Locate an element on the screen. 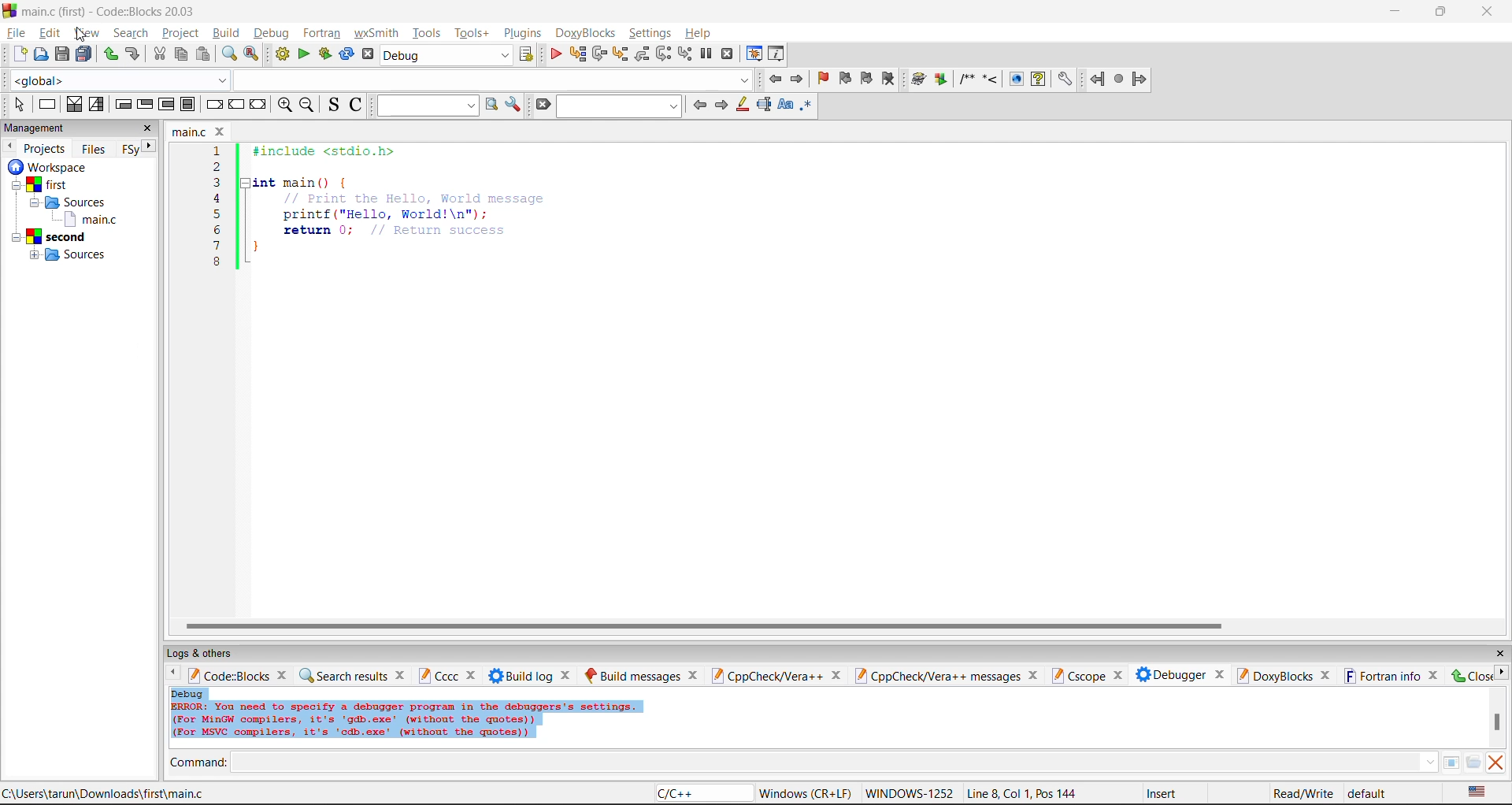  view is located at coordinates (87, 31).